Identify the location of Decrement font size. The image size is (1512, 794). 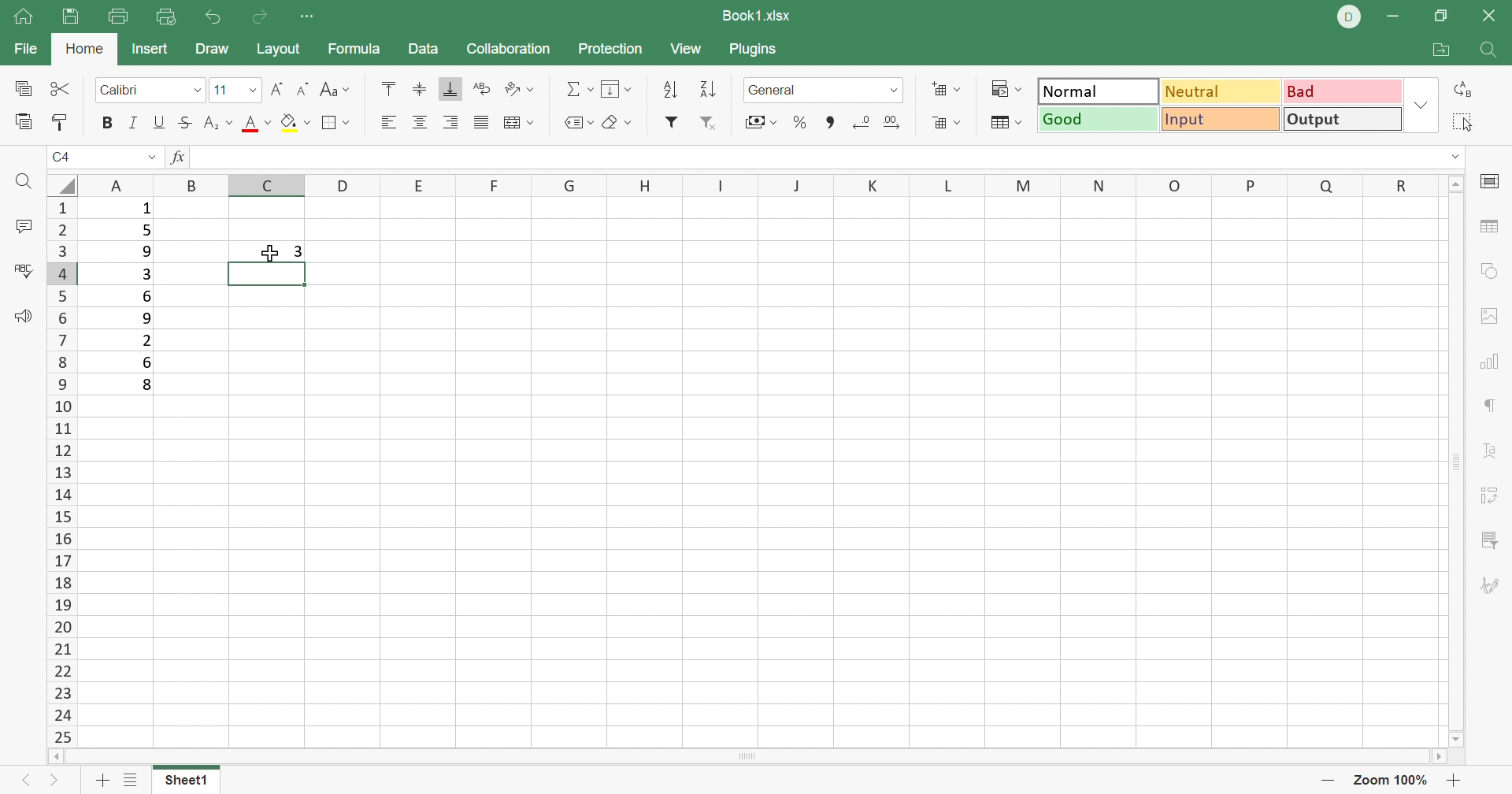
(302, 87).